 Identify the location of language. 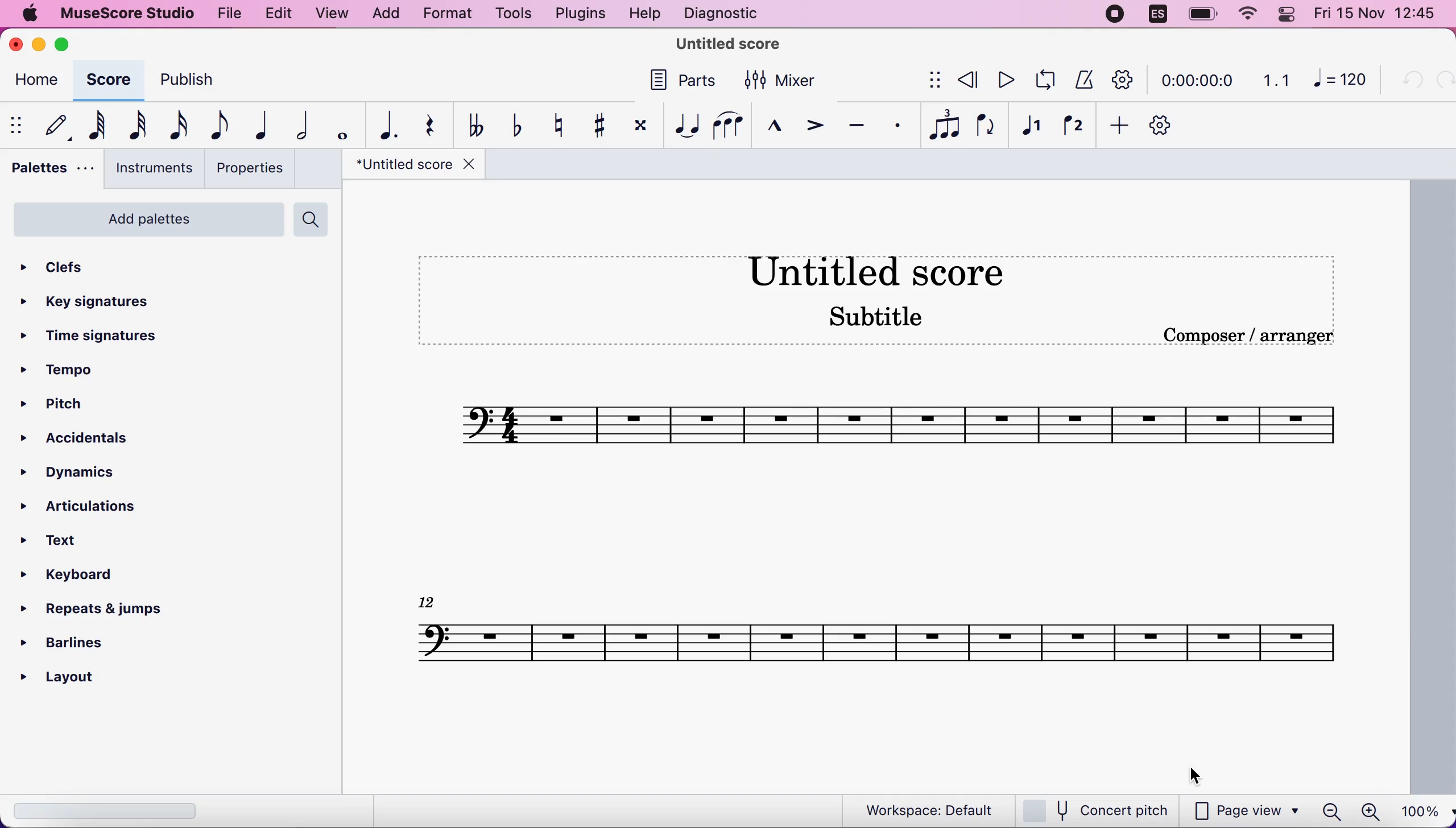
(1157, 14).